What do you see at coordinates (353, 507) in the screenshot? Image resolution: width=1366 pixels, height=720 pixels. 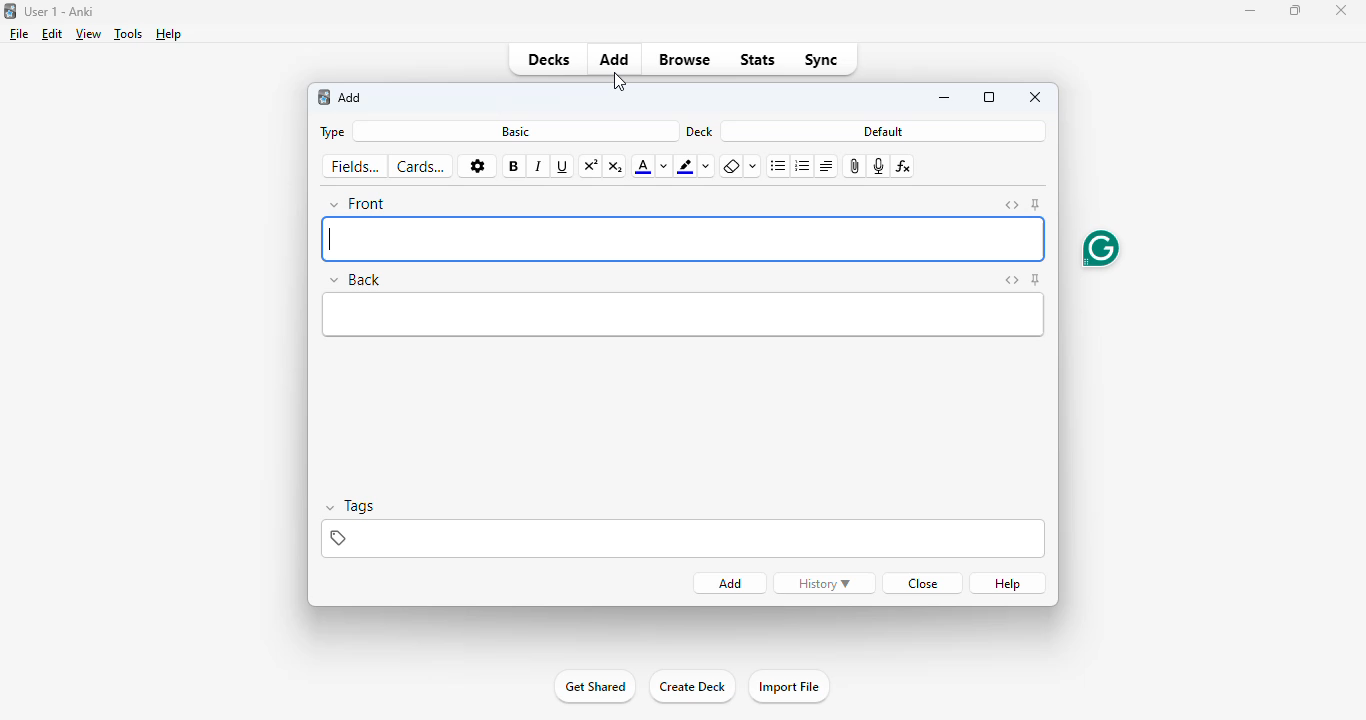 I see `tags` at bounding box center [353, 507].